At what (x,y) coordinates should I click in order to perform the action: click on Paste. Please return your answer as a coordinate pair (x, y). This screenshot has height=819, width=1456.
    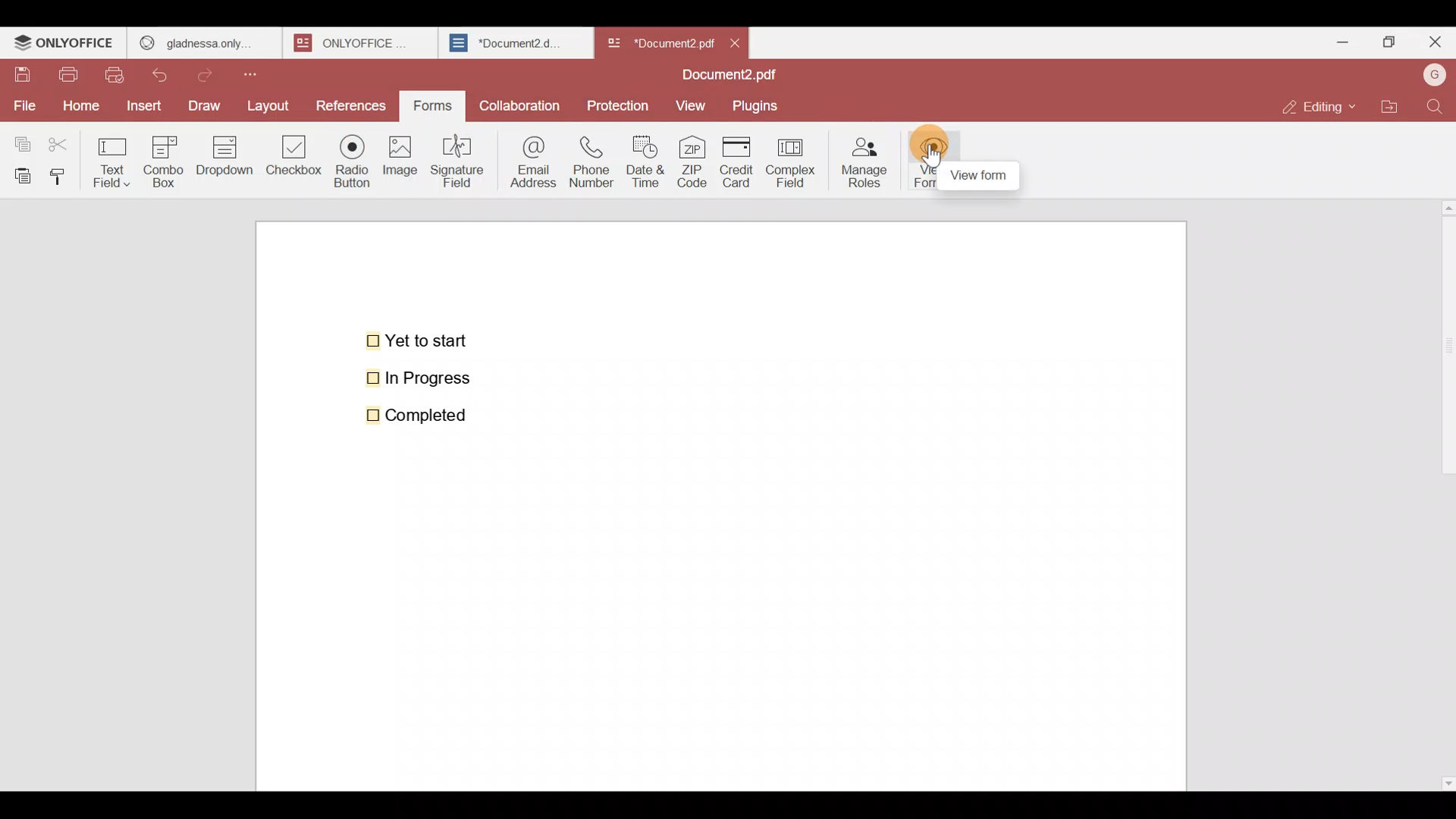
    Looking at the image, I should click on (20, 174).